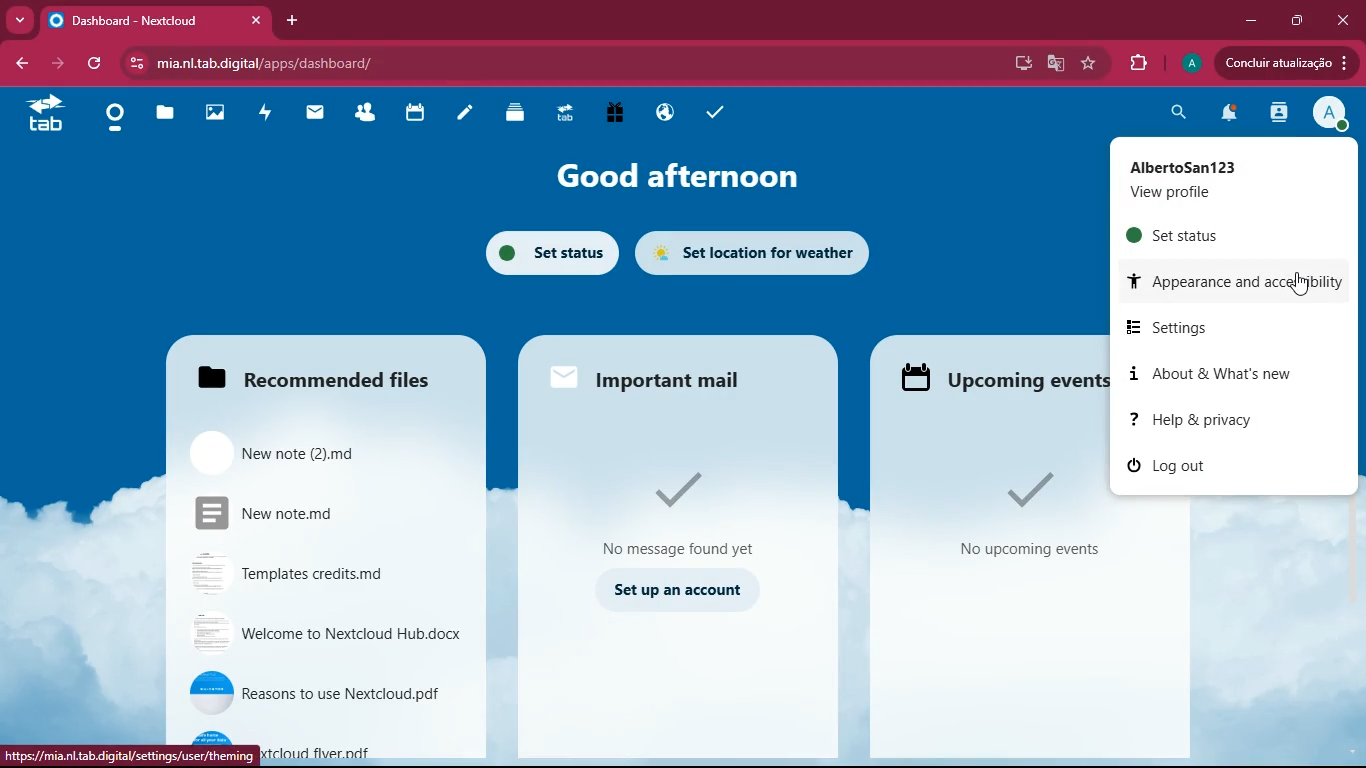 The height and width of the screenshot is (768, 1366). I want to click on Recommended files, so click(314, 372).